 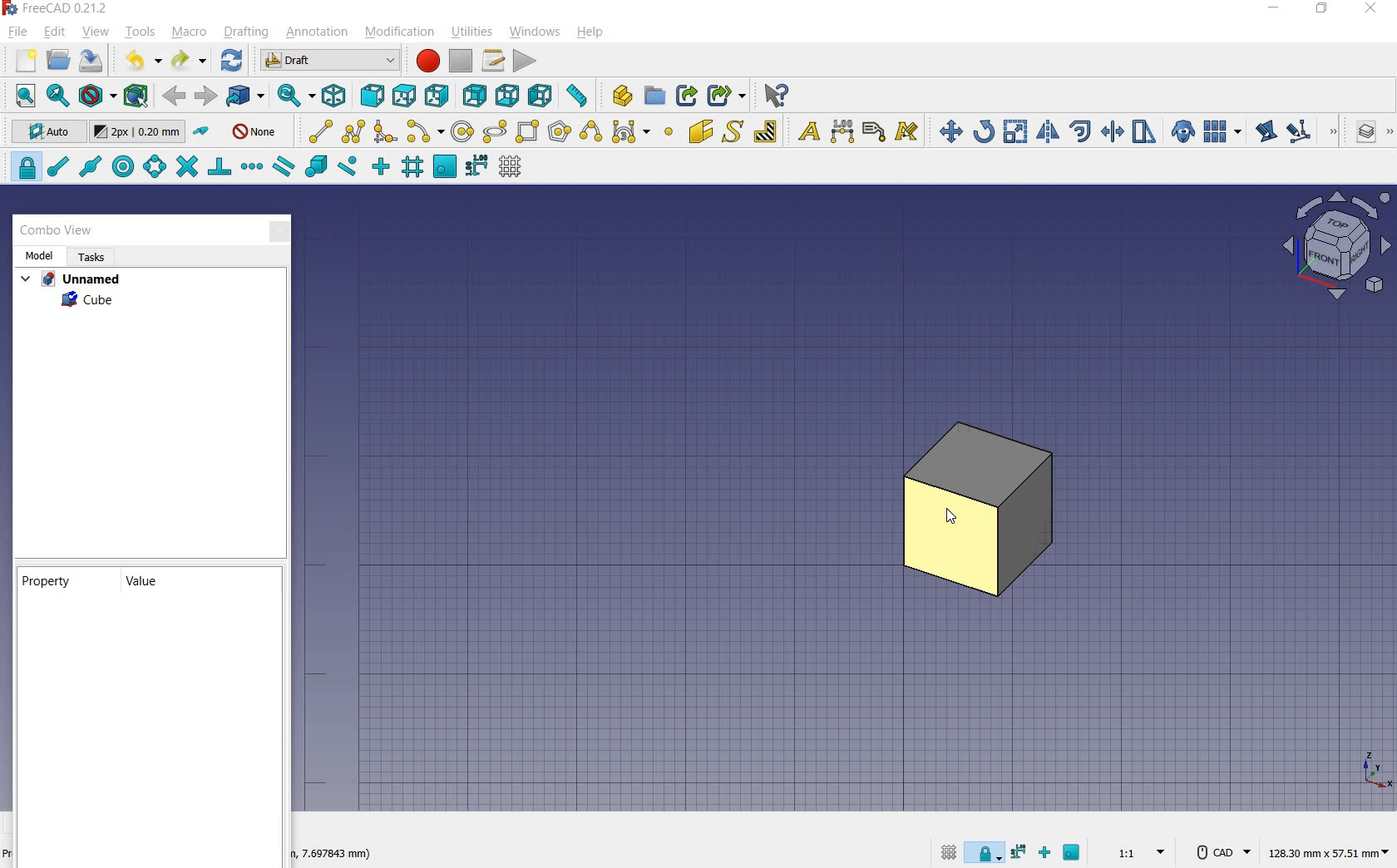 I want to click on text, so click(x=806, y=131).